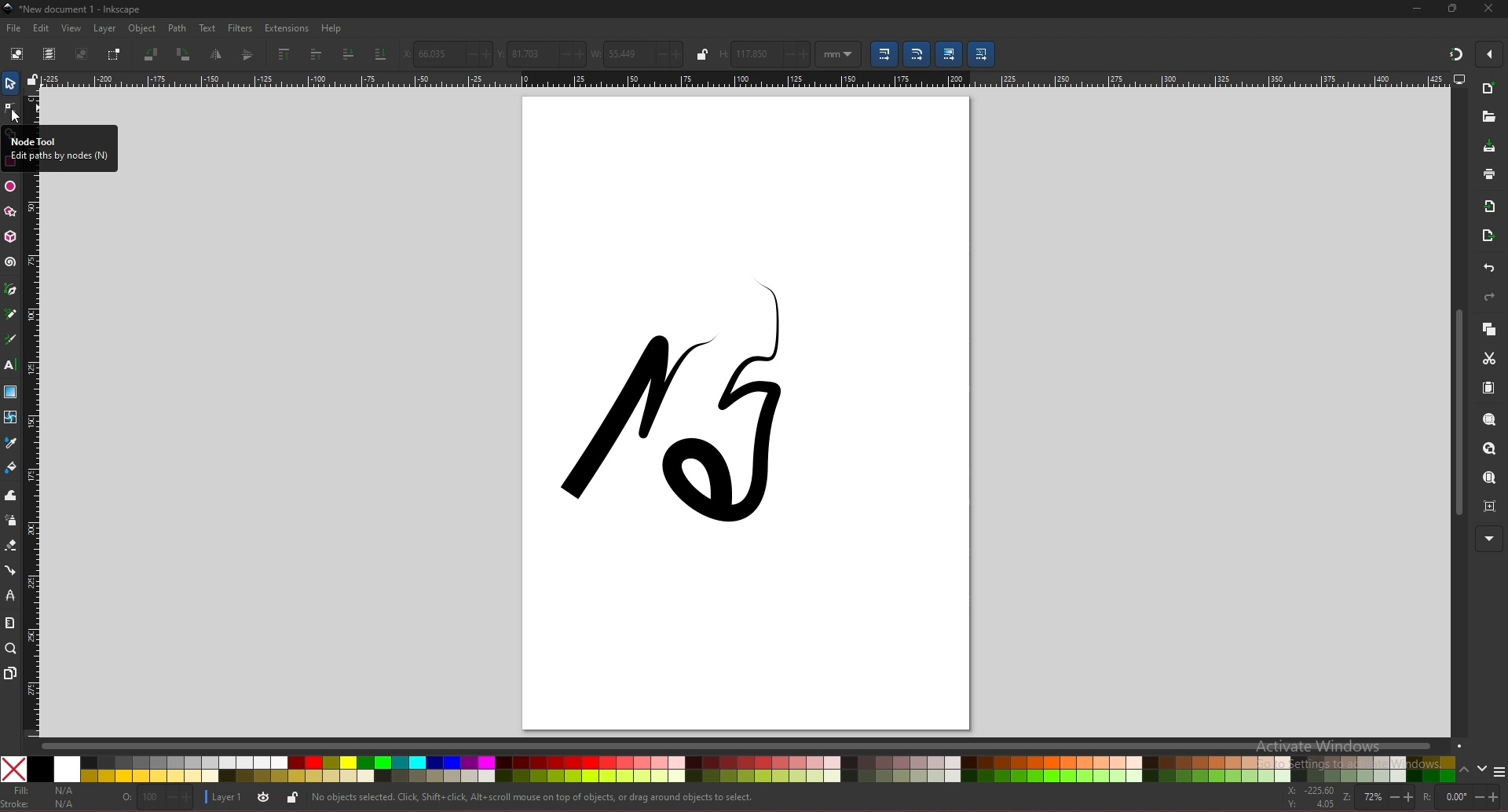 Image resolution: width=1508 pixels, height=812 pixels. I want to click on width, so click(637, 53).